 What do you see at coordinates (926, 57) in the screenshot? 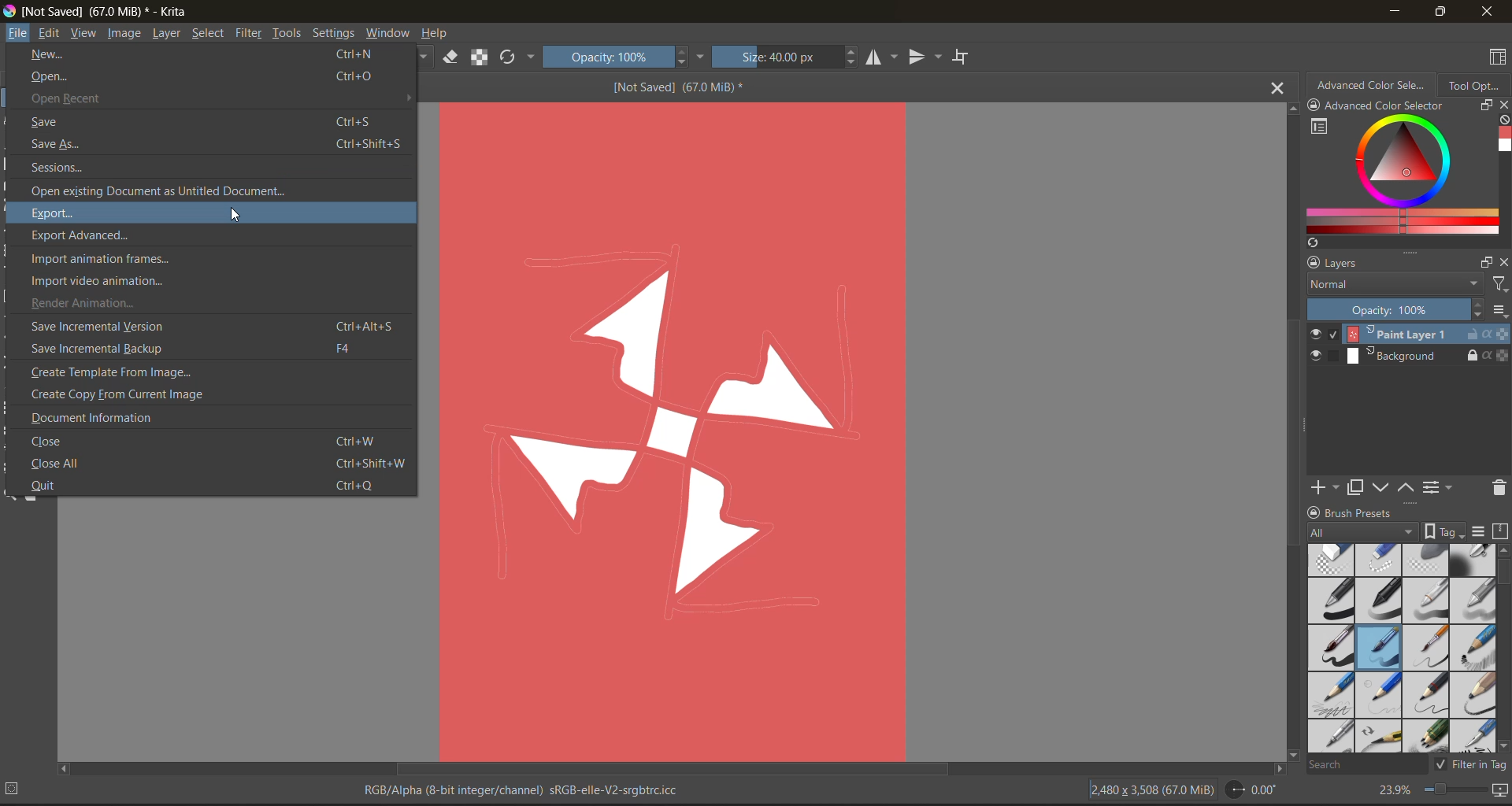
I see `vertical mirror tool` at bounding box center [926, 57].